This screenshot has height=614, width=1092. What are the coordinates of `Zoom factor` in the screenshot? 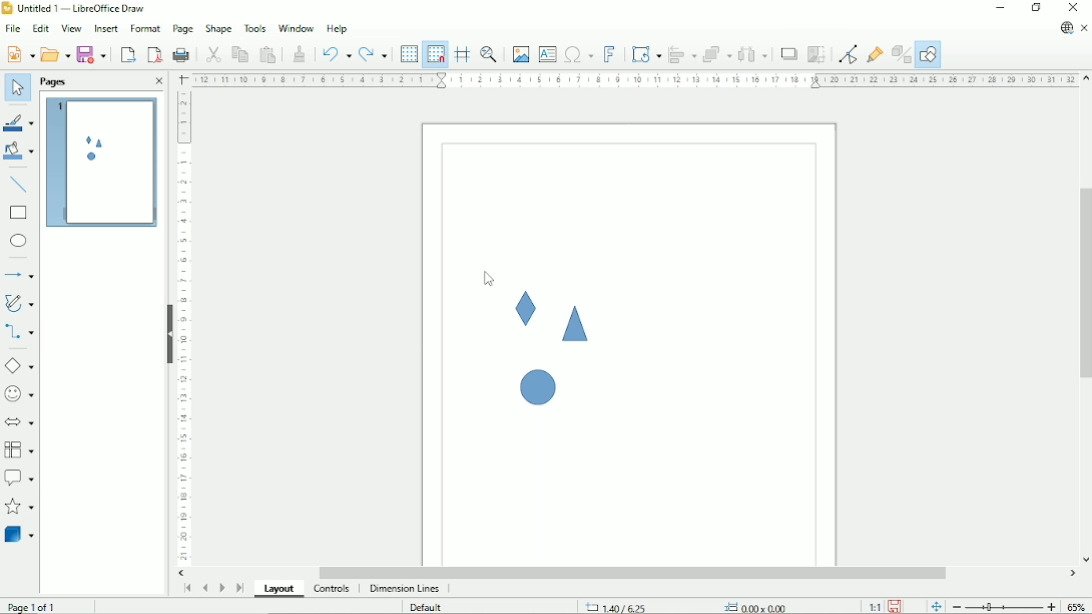 It's located at (1077, 605).